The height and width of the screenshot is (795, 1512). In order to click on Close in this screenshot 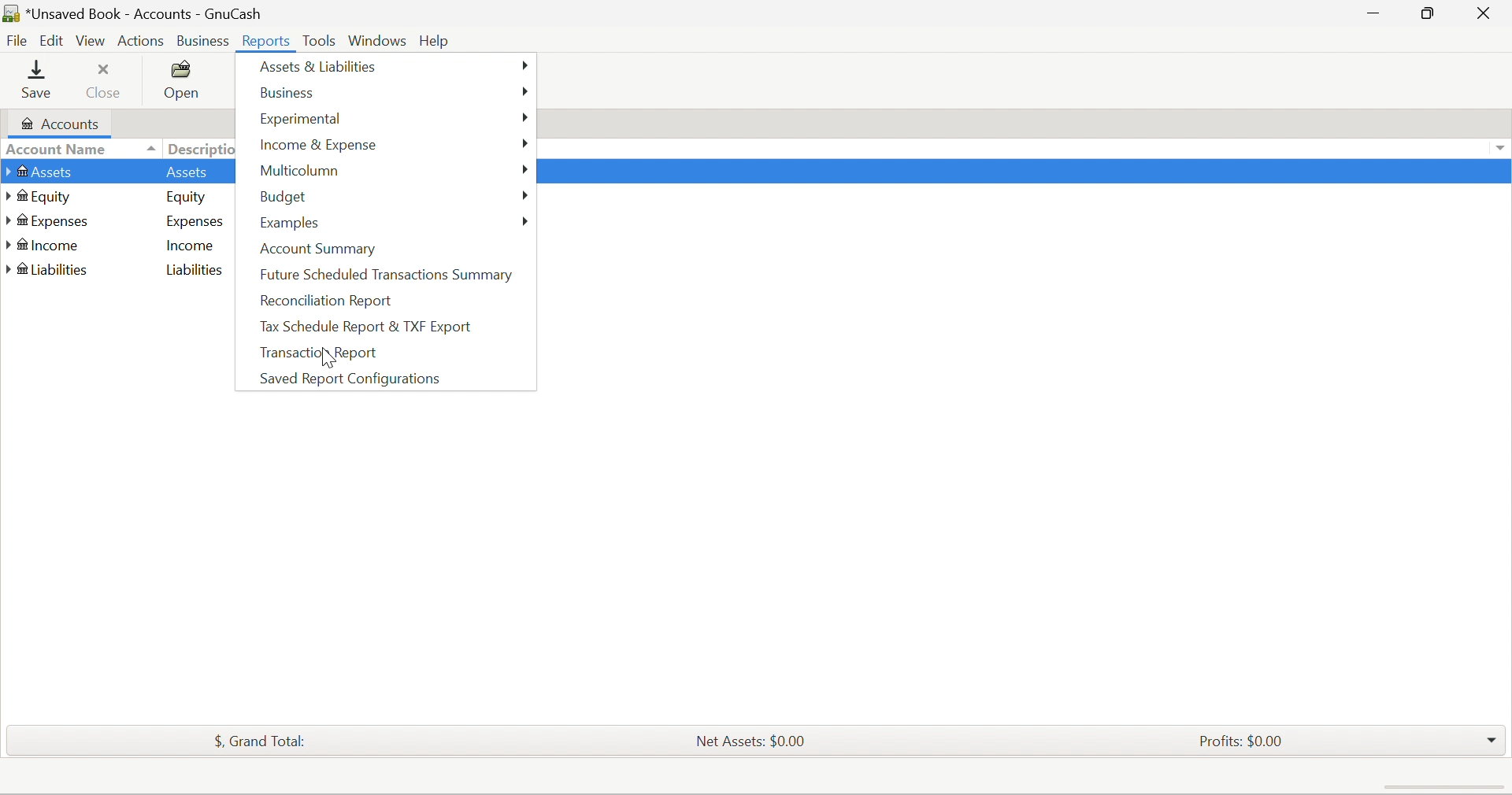, I will do `click(105, 87)`.